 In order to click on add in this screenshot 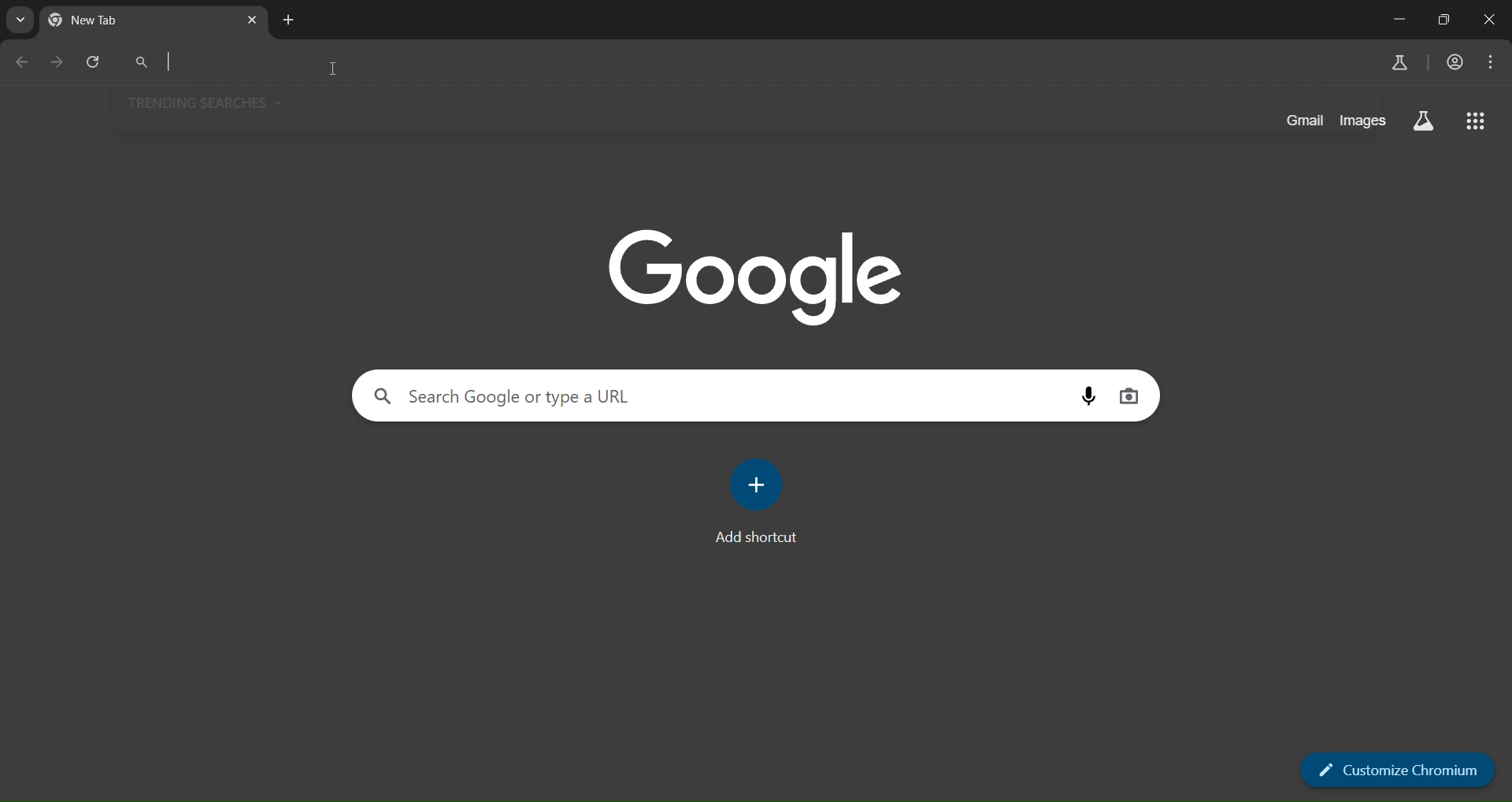, I will do `click(760, 487)`.